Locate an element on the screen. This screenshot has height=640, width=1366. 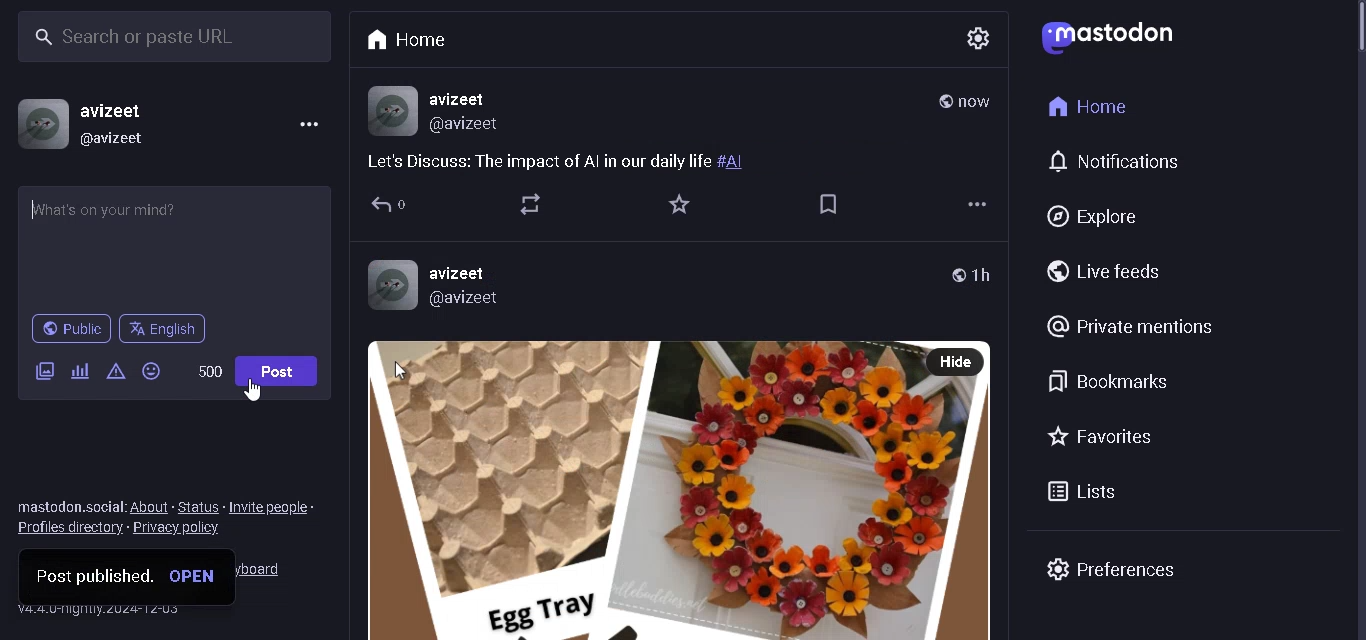
home is located at coordinates (404, 36).